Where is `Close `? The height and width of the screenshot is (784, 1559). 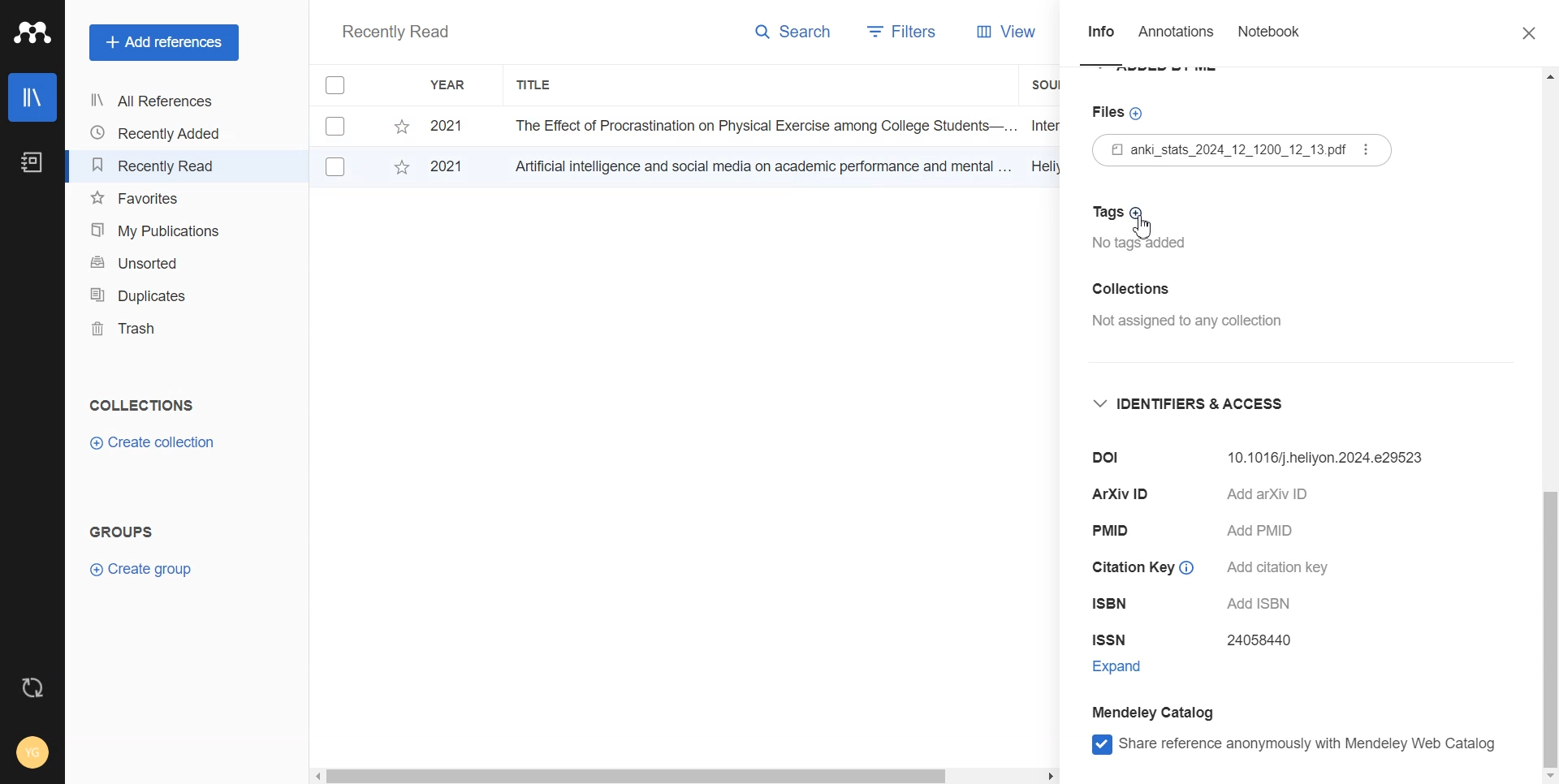
Close  is located at coordinates (1521, 34).